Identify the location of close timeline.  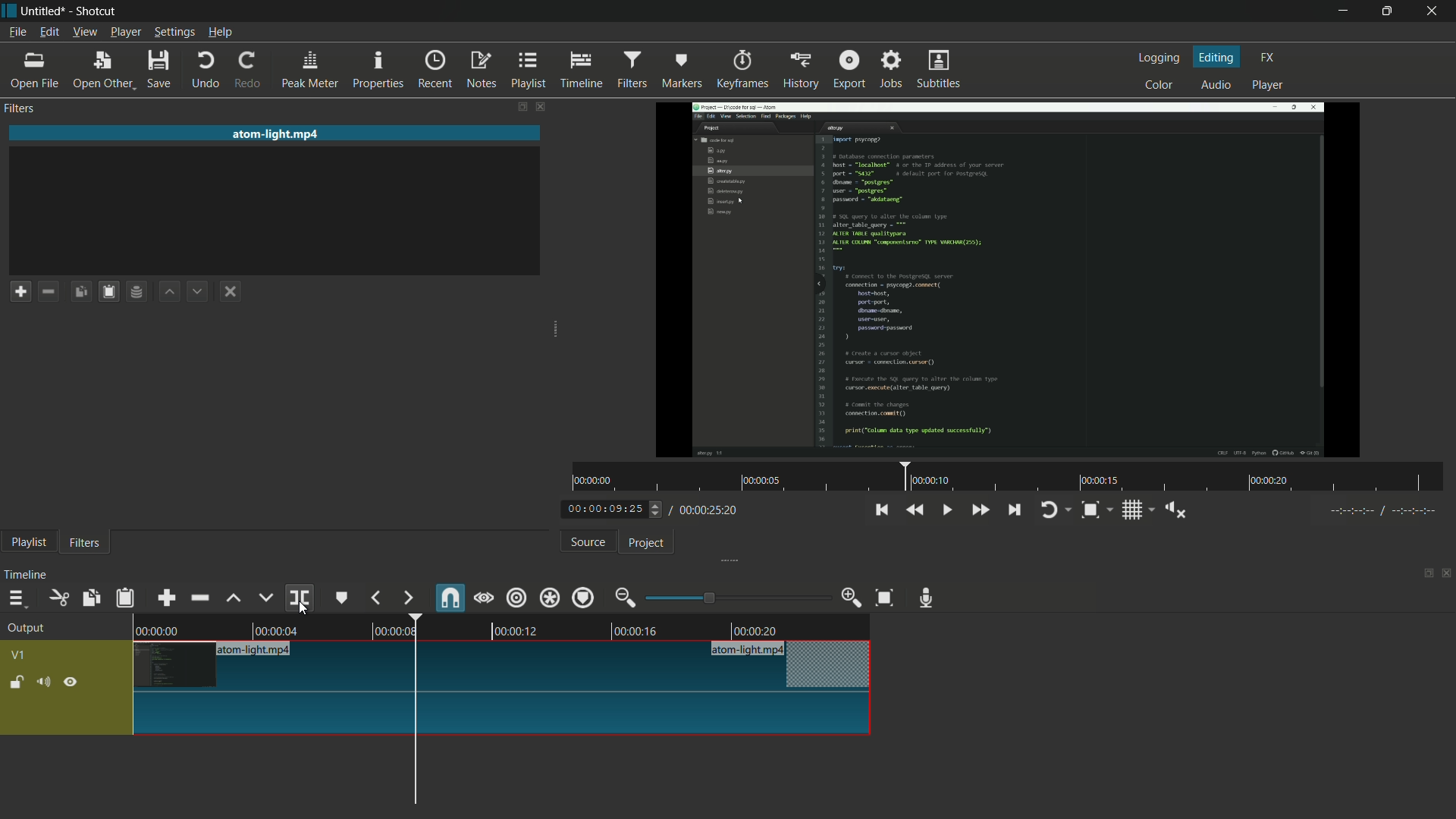
(1447, 573).